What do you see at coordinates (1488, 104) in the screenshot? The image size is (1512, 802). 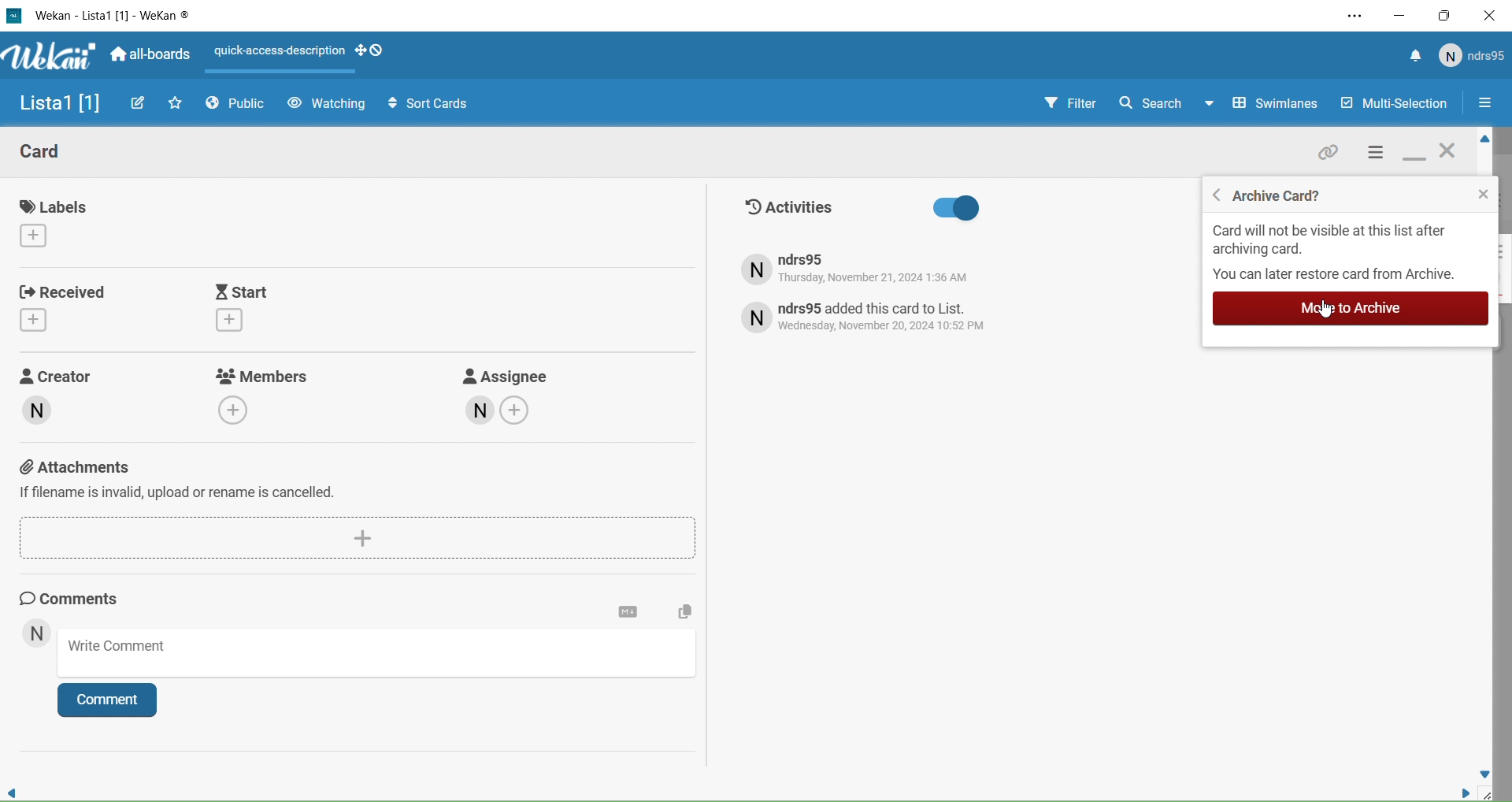 I see `Options` at bounding box center [1488, 104].